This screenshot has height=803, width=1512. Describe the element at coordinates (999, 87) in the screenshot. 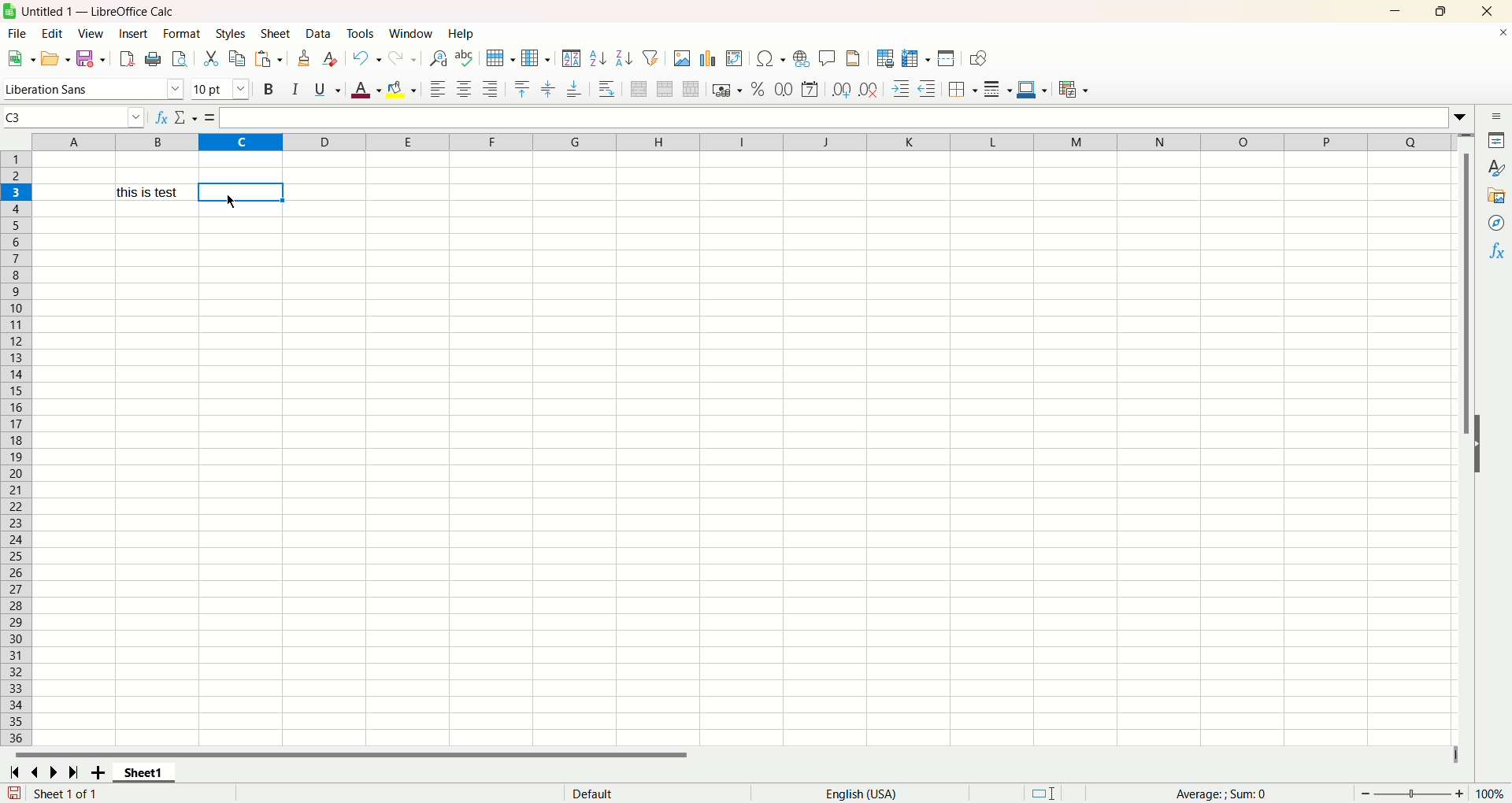

I see `border style` at that location.